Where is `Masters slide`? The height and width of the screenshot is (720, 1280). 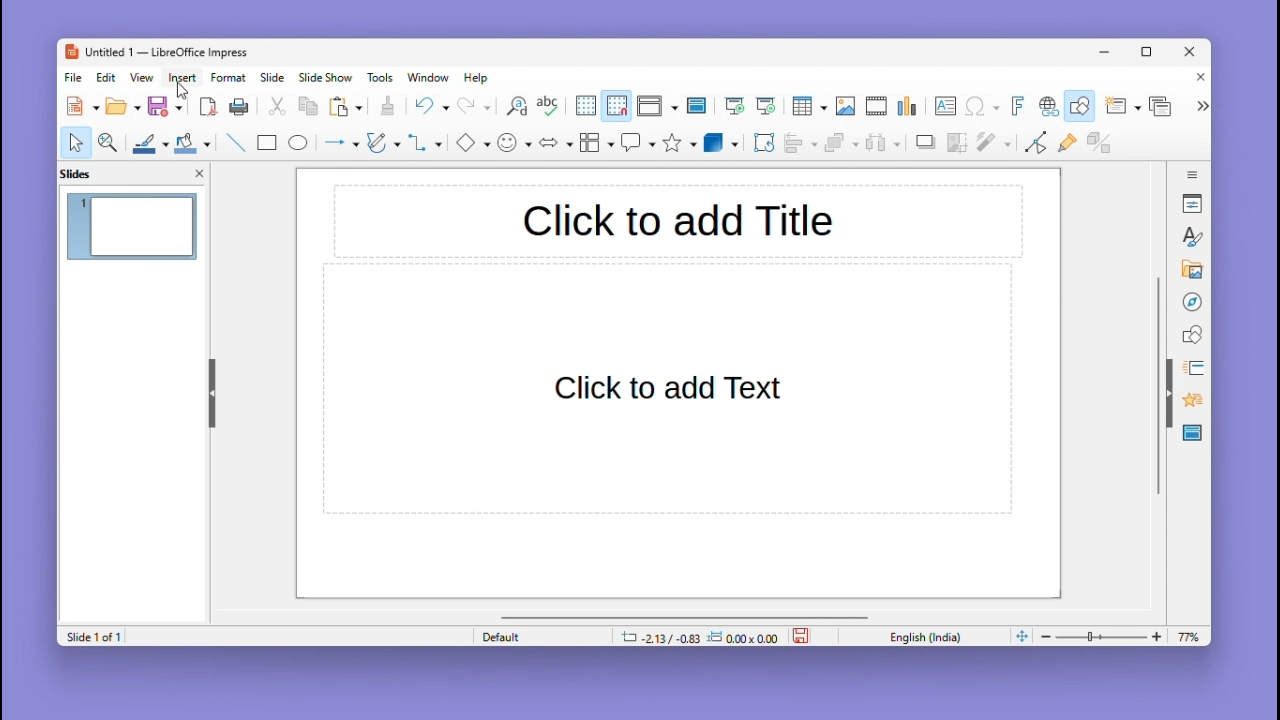
Masters slide is located at coordinates (1193, 434).